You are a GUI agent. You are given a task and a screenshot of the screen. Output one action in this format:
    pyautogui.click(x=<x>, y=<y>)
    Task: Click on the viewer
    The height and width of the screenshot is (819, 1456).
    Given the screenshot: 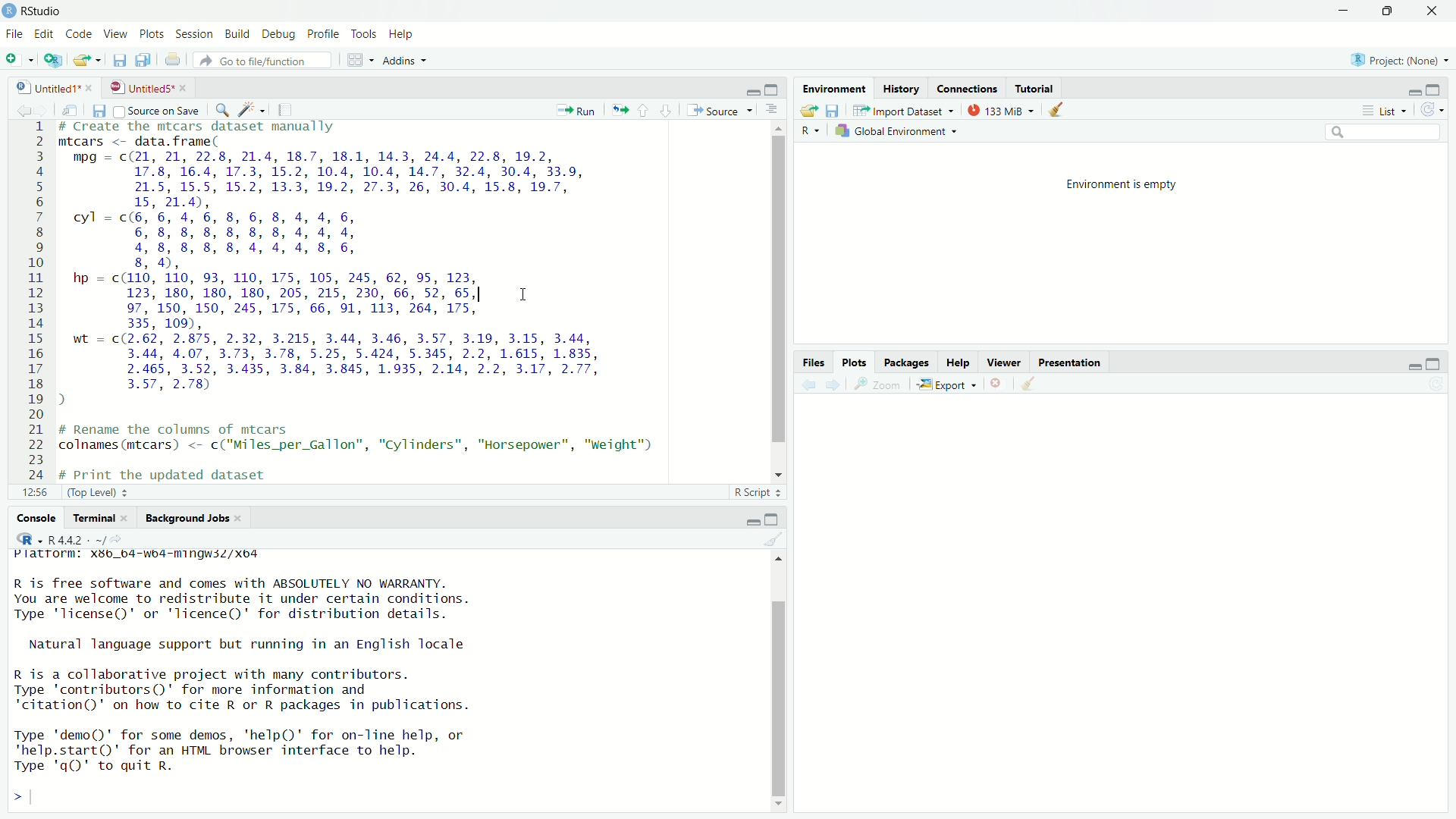 What is the action you would take?
    pyautogui.click(x=1005, y=363)
    